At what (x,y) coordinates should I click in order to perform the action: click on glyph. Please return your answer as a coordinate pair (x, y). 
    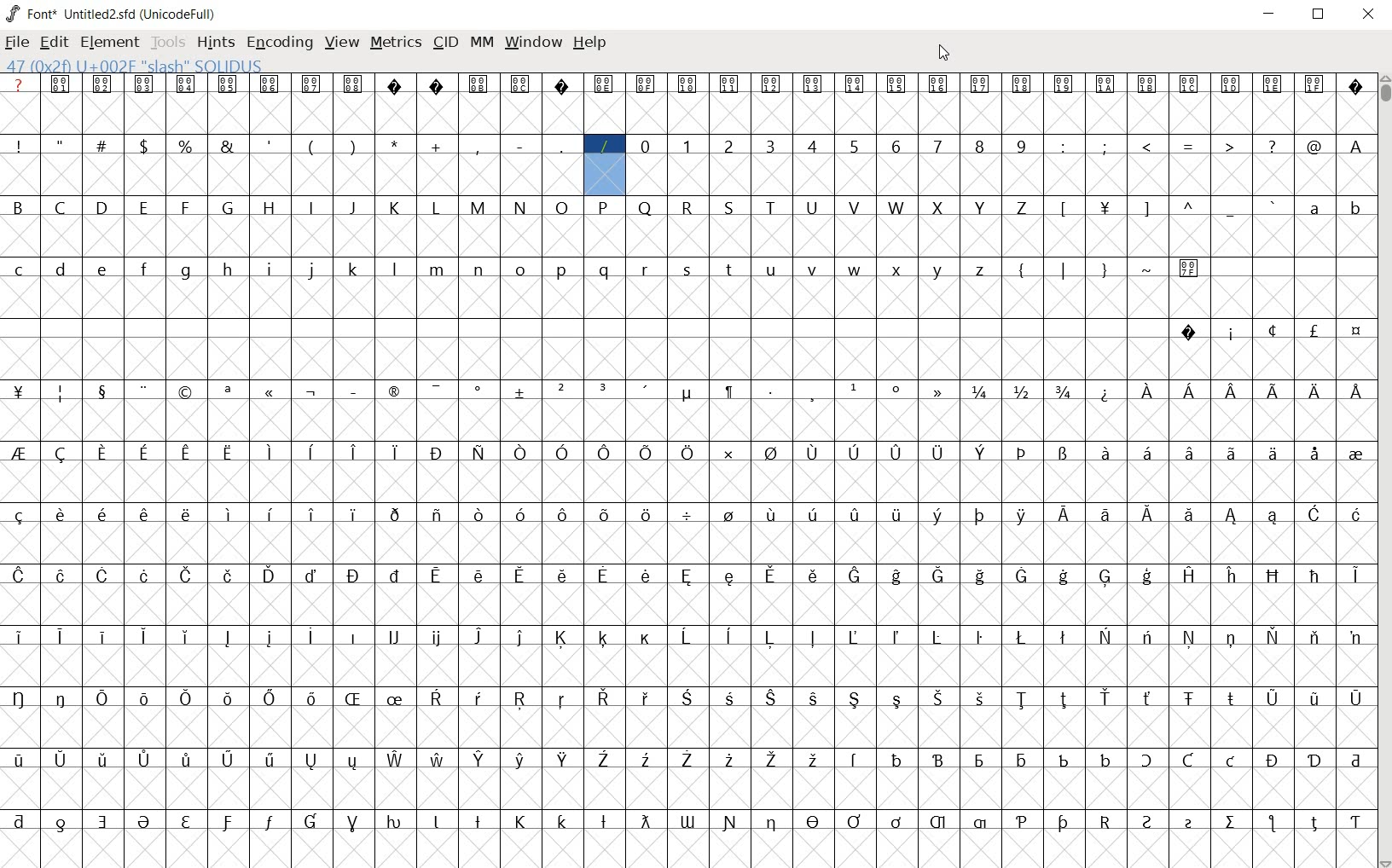
    Looking at the image, I should click on (937, 391).